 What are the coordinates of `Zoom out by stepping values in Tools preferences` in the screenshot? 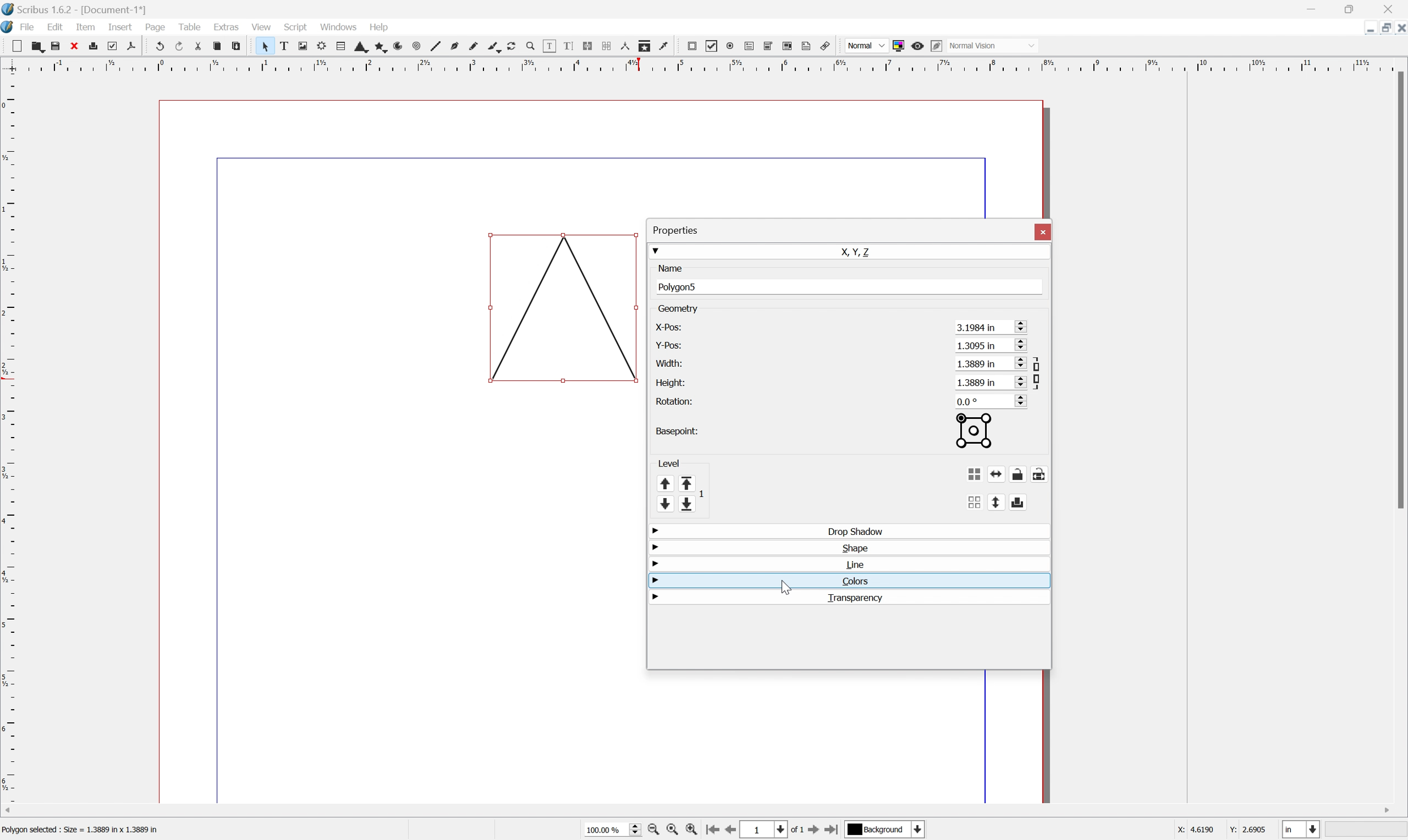 It's located at (654, 830).